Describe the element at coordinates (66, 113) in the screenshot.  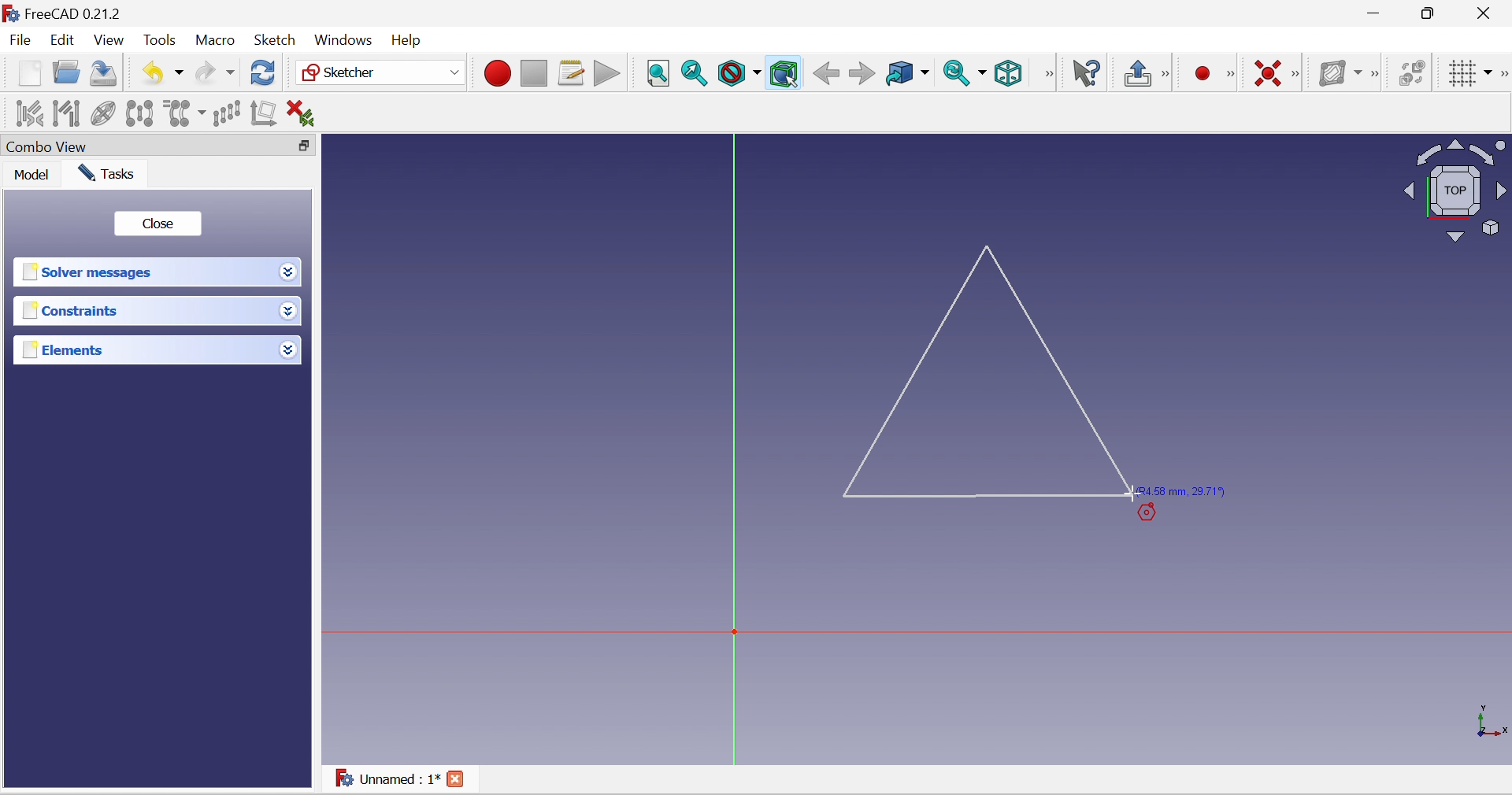
I see `Select associated geometry` at that location.